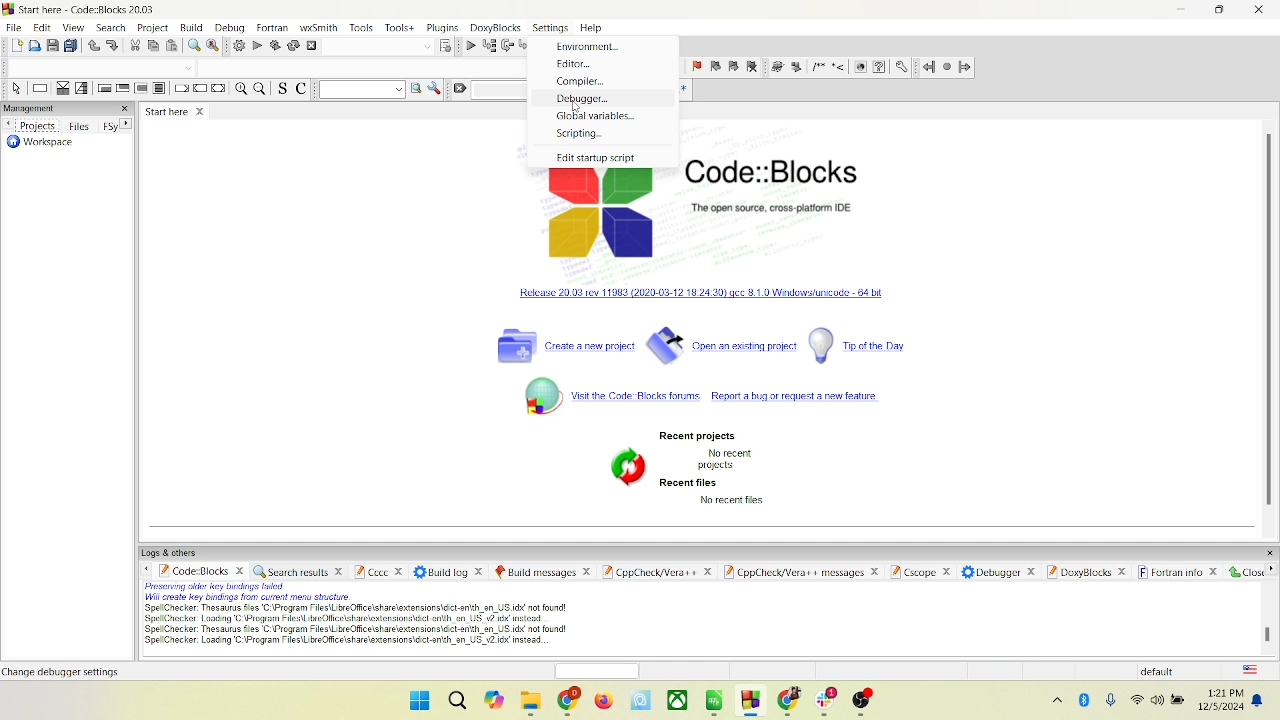  What do you see at coordinates (256, 45) in the screenshot?
I see `run` at bounding box center [256, 45].